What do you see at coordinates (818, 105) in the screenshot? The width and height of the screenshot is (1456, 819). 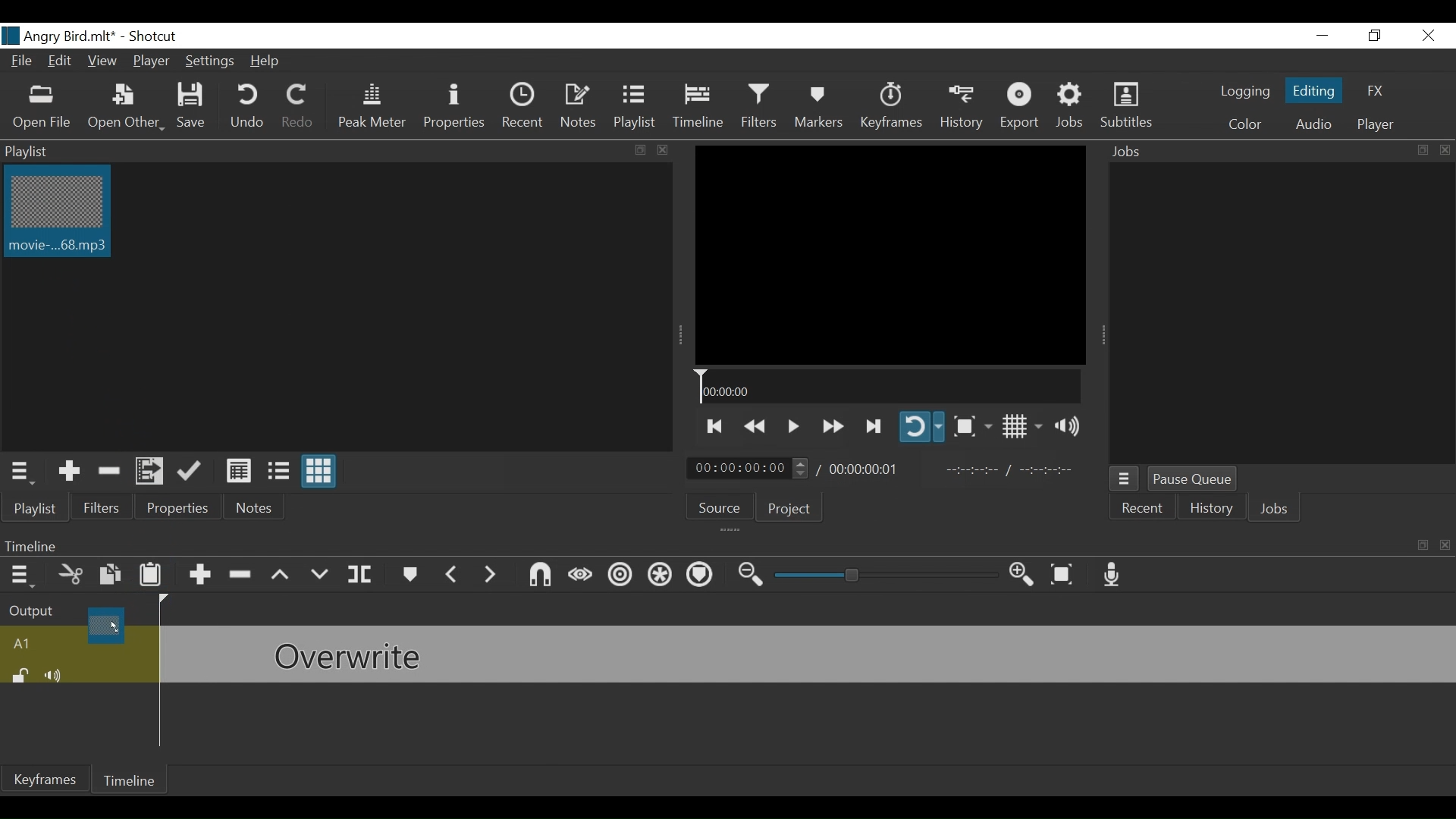 I see `Markers` at bounding box center [818, 105].